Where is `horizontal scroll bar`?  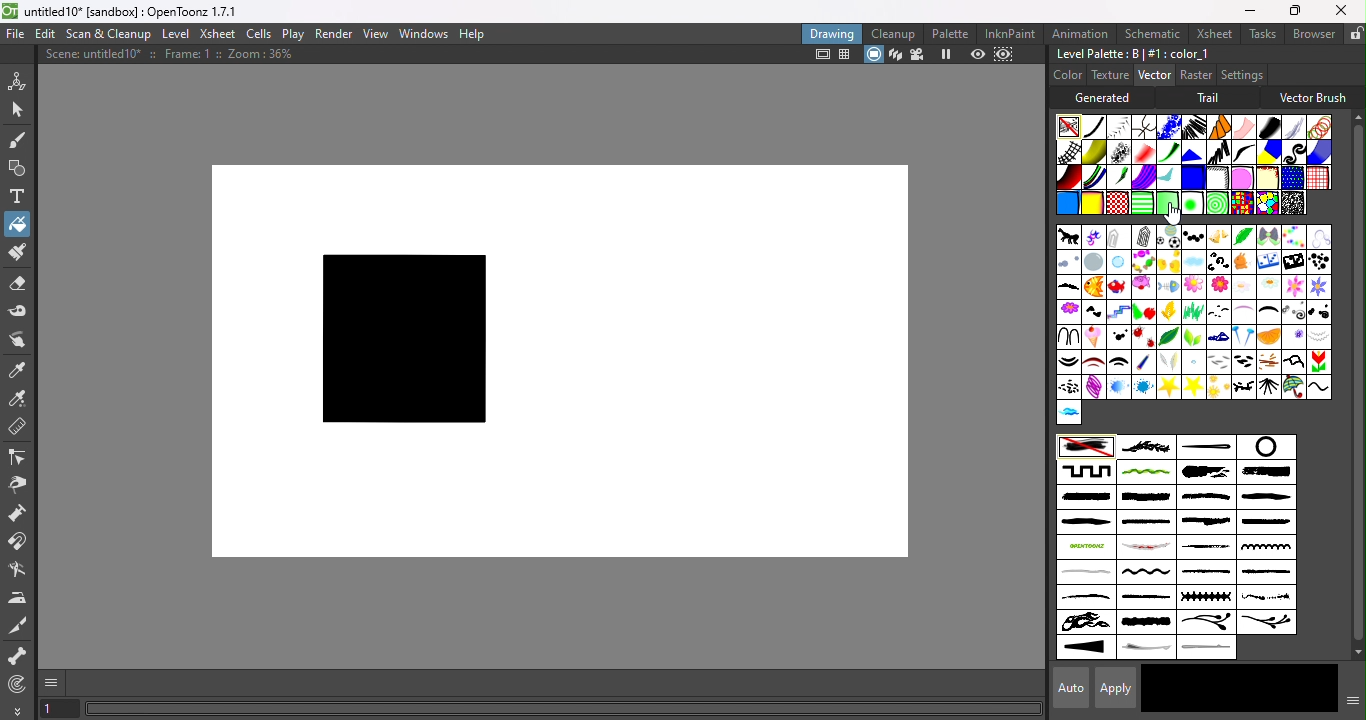 horizontal scroll bar is located at coordinates (564, 709).